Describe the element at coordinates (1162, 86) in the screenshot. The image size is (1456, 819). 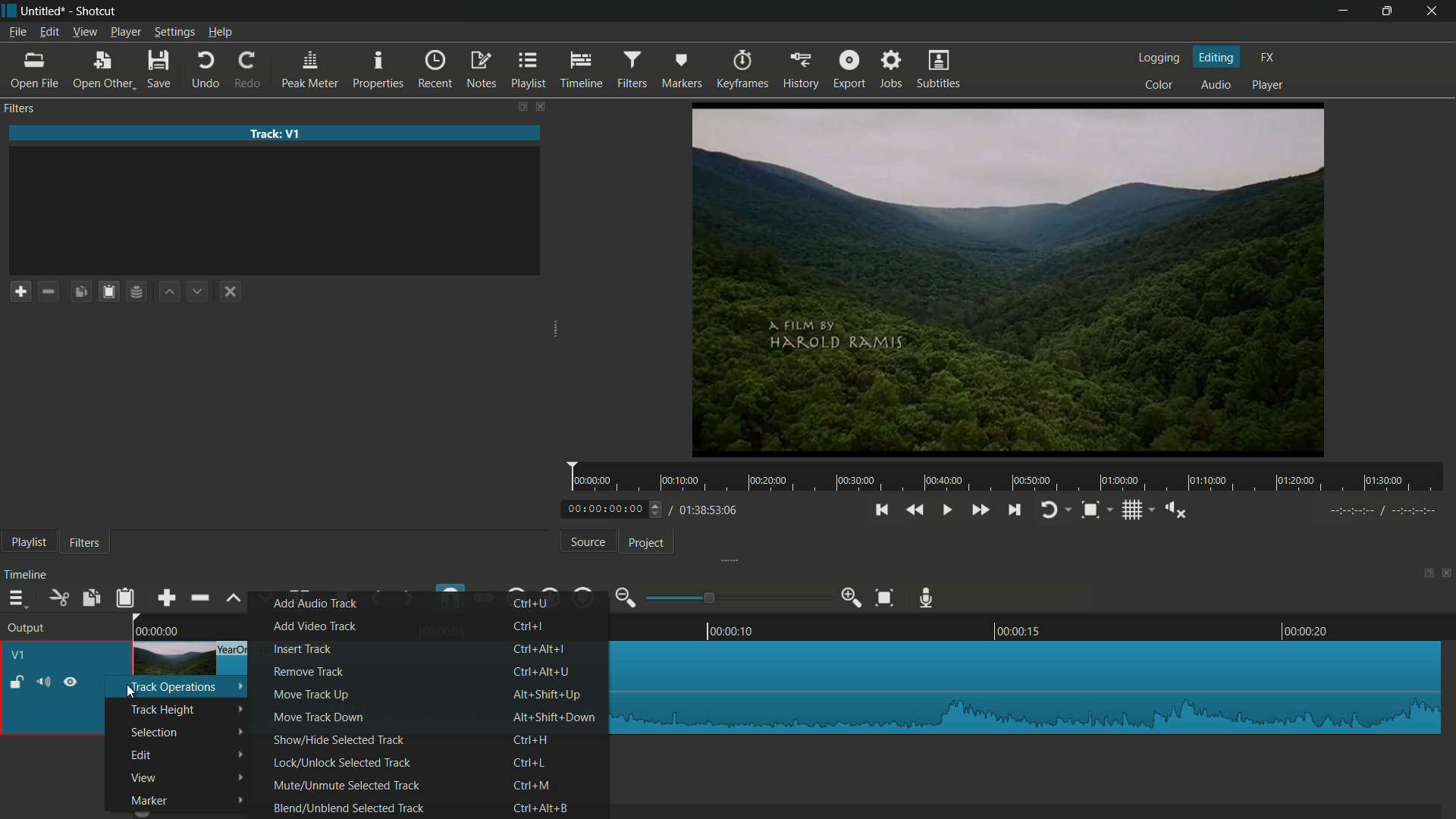
I see `color` at that location.